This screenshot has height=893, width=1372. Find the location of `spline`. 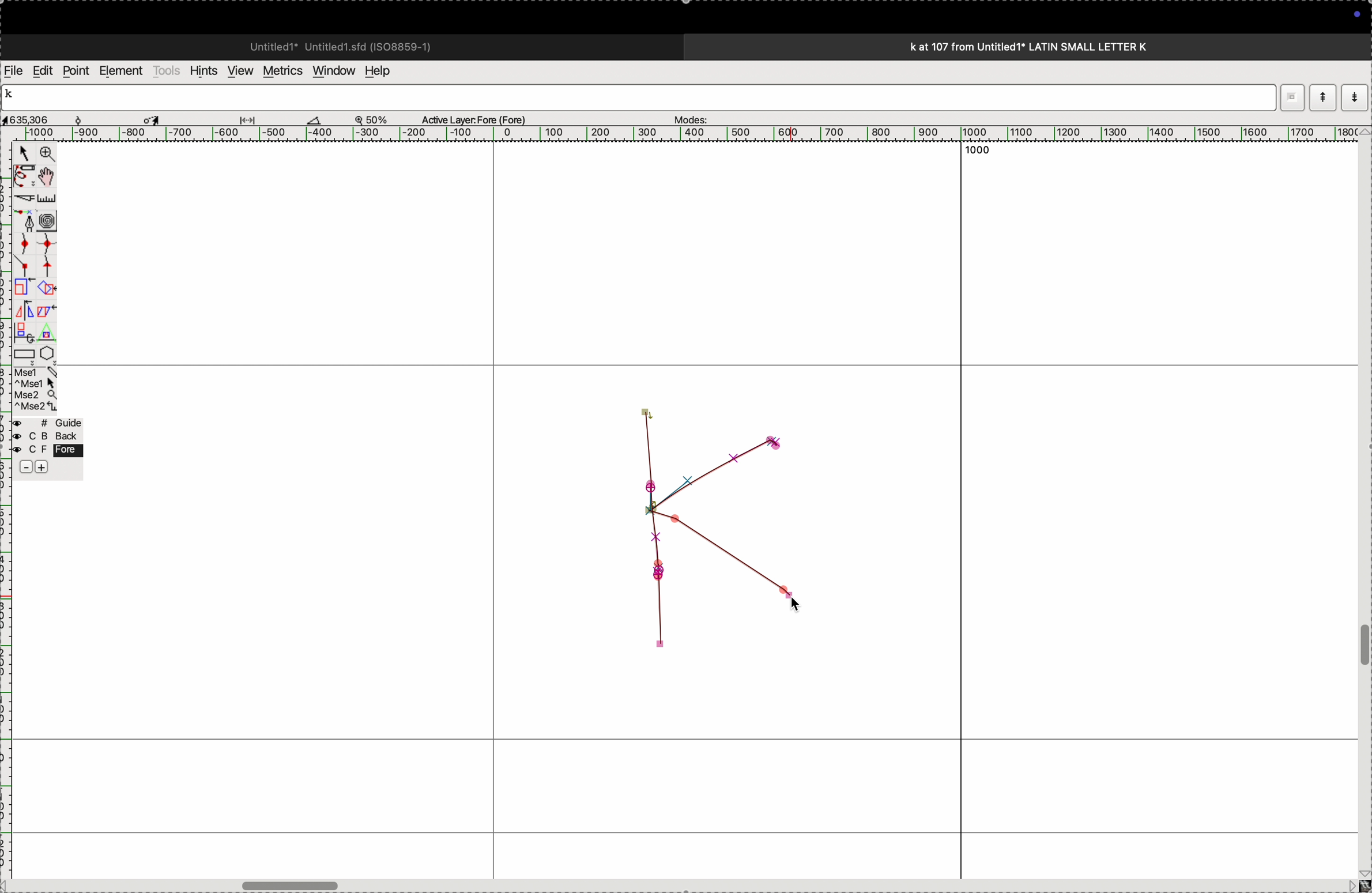

spline is located at coordinates (35, 253).